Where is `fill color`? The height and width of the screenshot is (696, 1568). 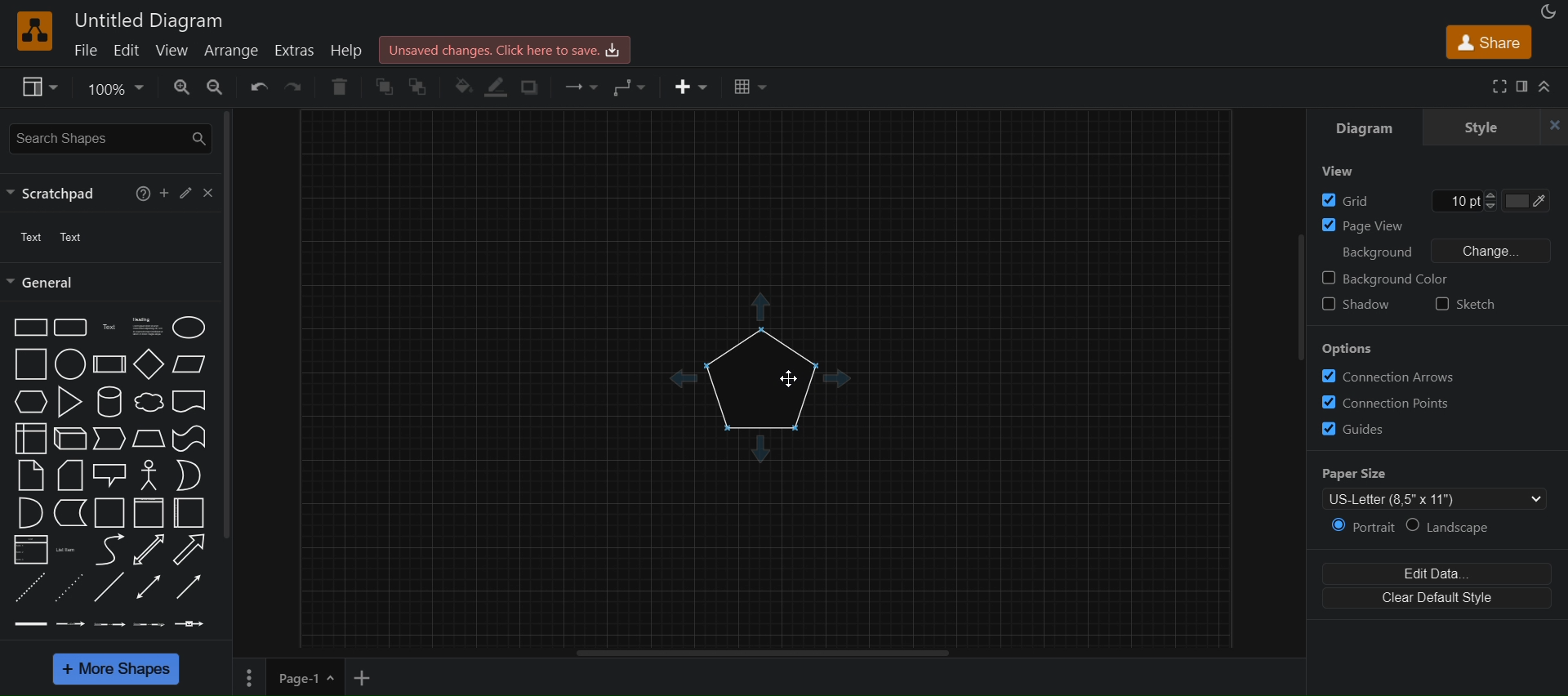 fill color is located at coordinates (461, 86).